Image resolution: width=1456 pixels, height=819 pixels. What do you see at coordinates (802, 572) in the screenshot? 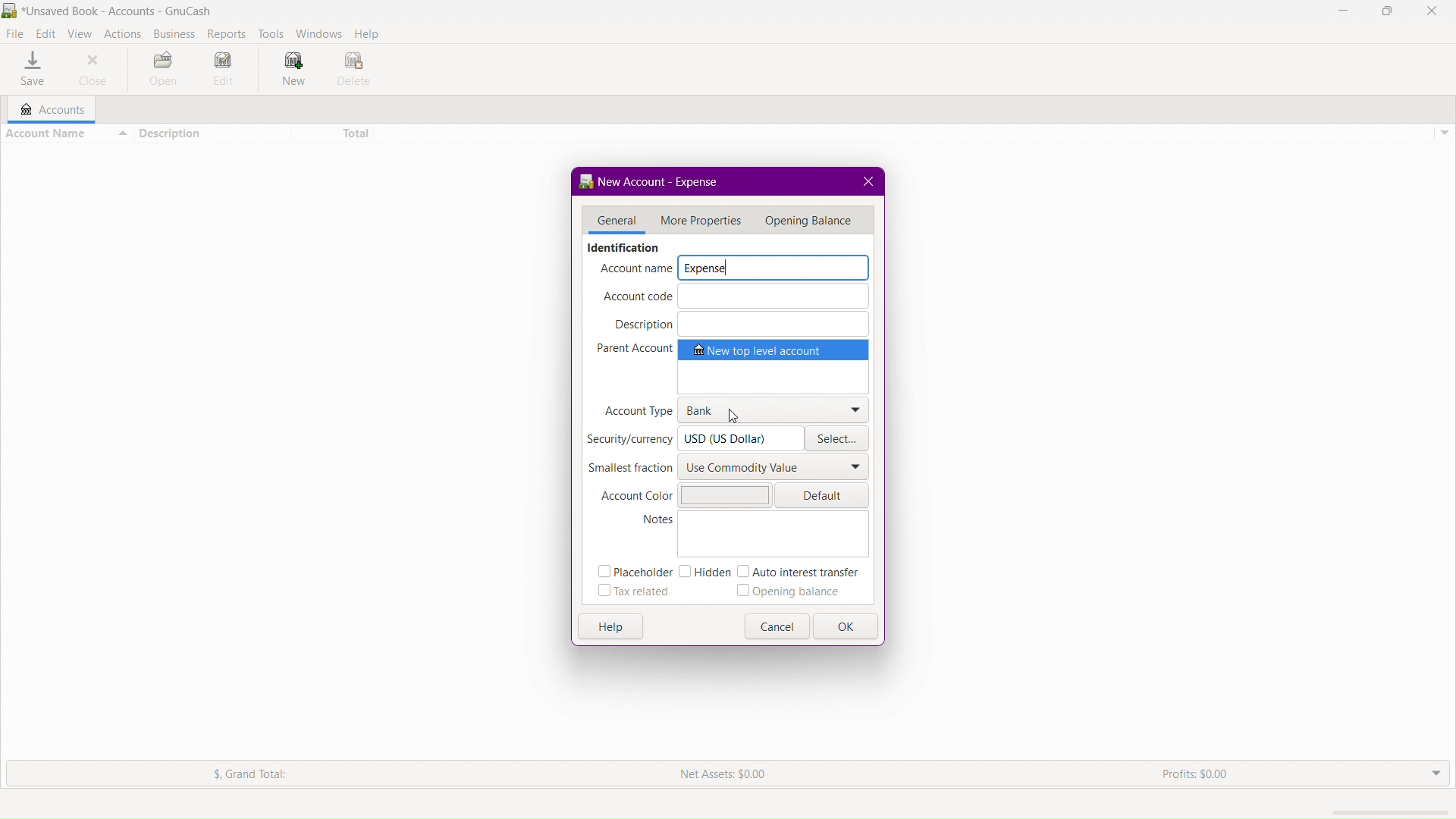
I see `Auto interest transfer` at bounding box center [802, 572].